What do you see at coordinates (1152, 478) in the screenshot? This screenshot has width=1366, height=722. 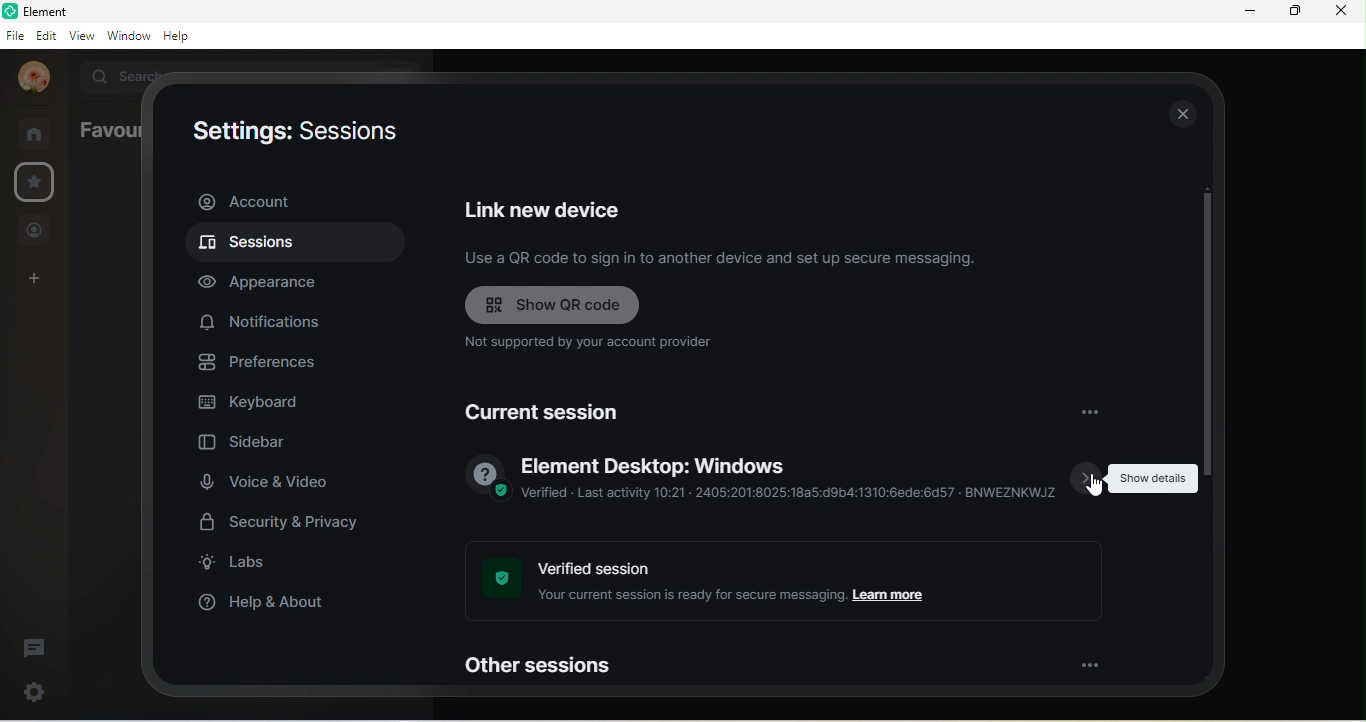 I see `show details tooltips` at bounding box center [1152, 478].